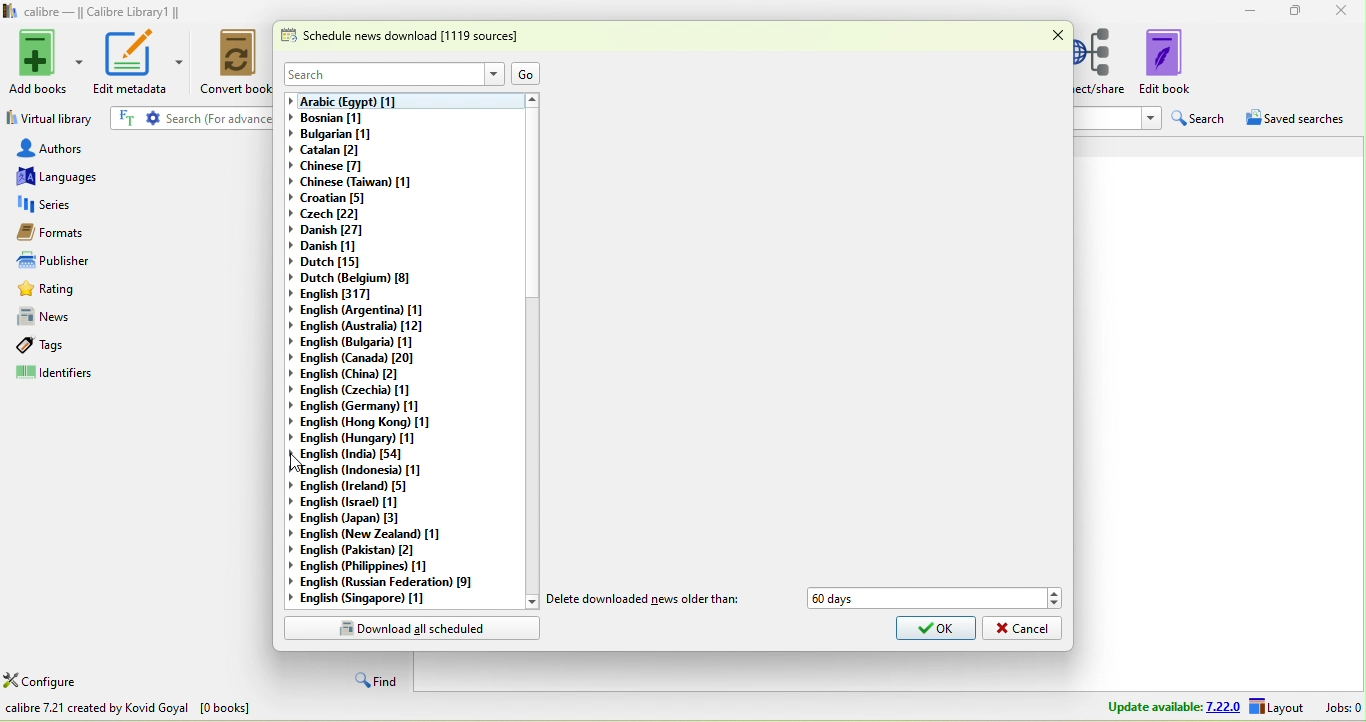  What do you see at coordinates (402, 101) in the screenshot?
I see `arabic (egypt) [1]` at bounding box center [402, 101].